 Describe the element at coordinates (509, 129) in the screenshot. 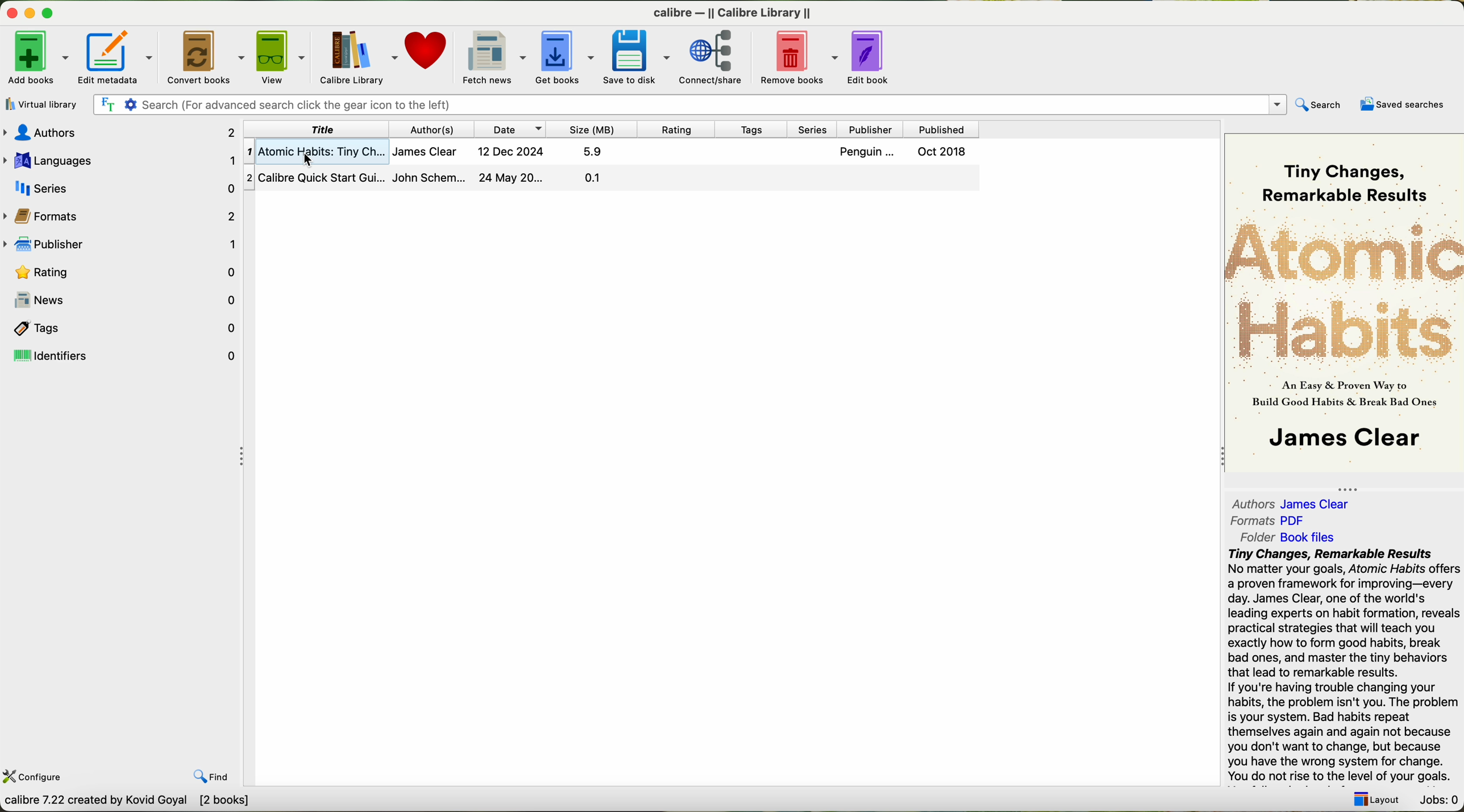

I see `date` at that location.